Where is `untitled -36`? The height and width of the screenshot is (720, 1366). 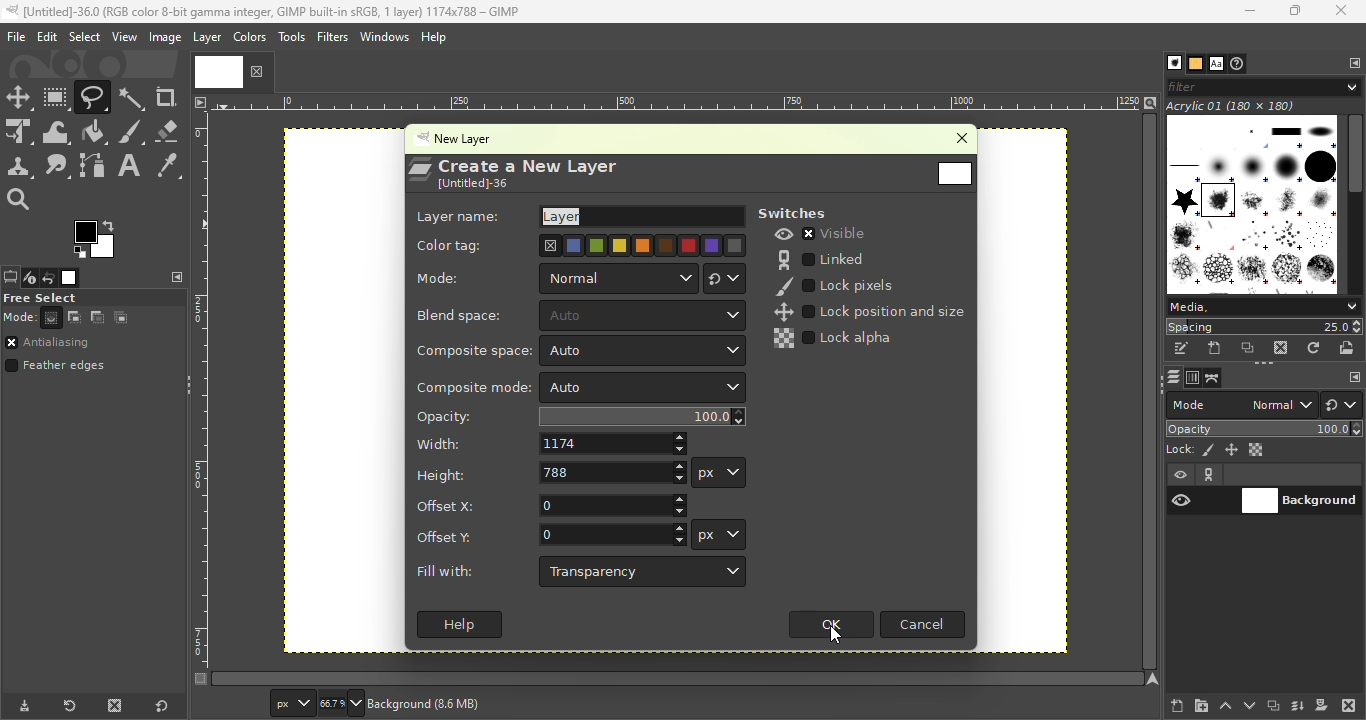 untitled -36 is located at coordinates (470, 183).